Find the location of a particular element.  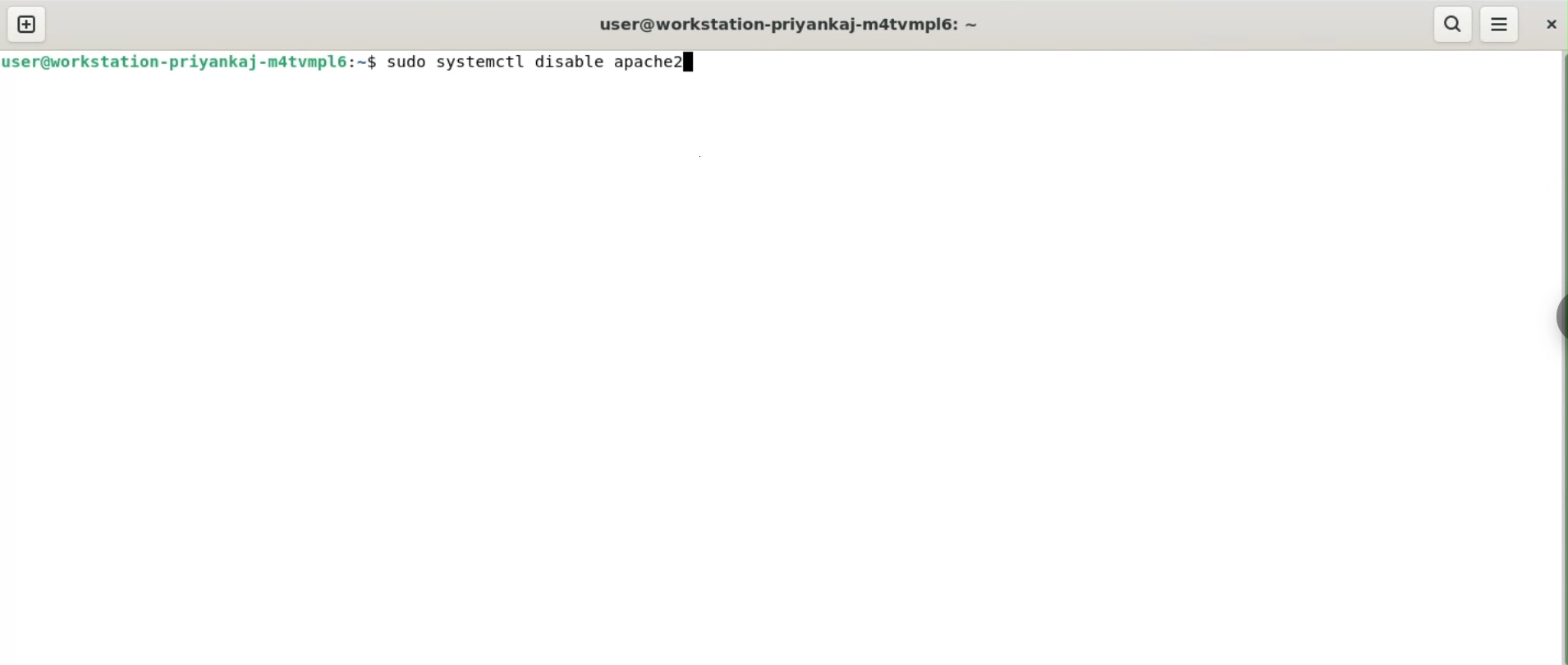

user@workstation-priyankaj-m4tvmpl6:~$ is located at coordinates (190, 66).